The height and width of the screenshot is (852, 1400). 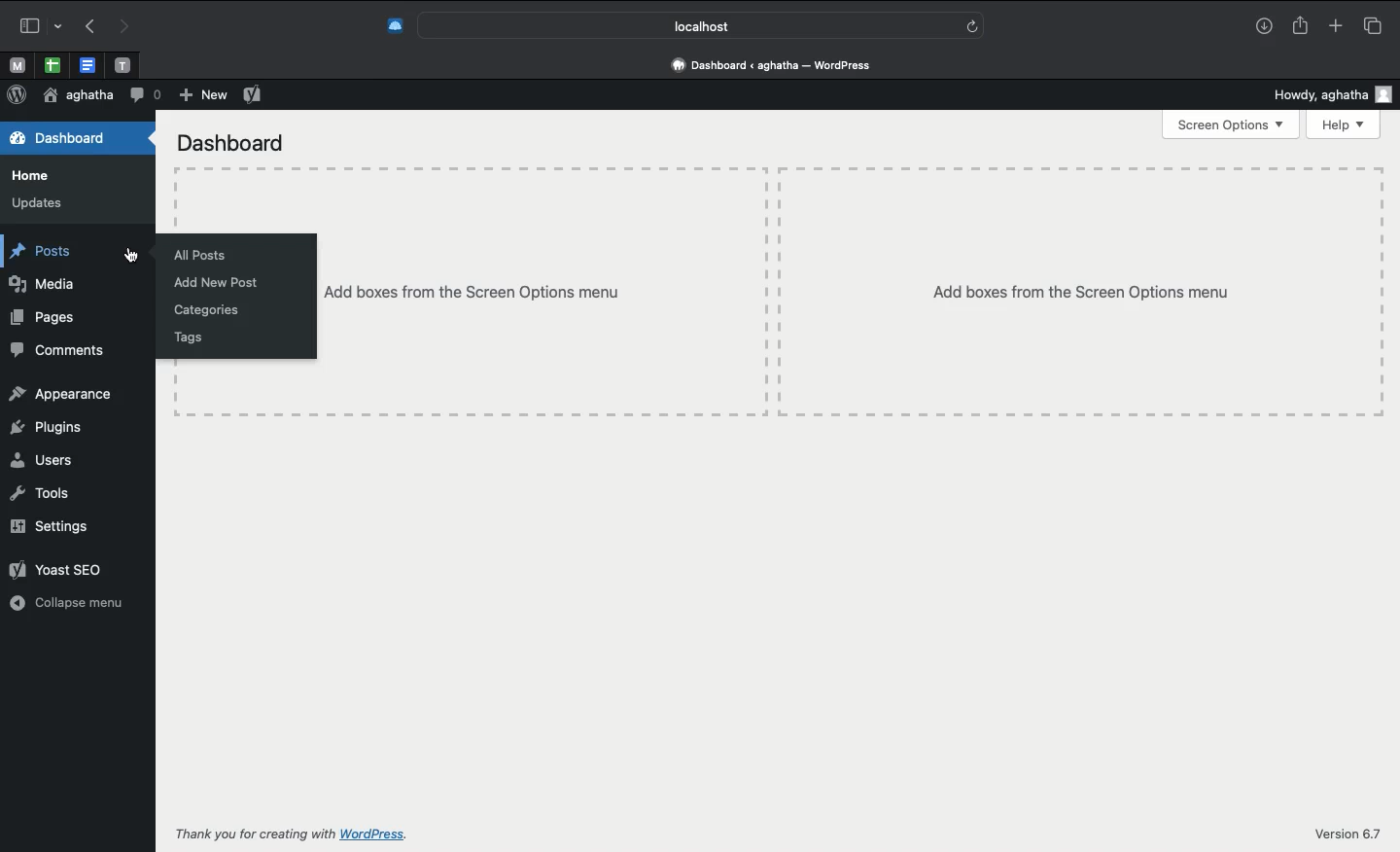 What do you see at coordinates (39, 202) in the screenshot?
I see `Updates` at bounding box center [39, 202].